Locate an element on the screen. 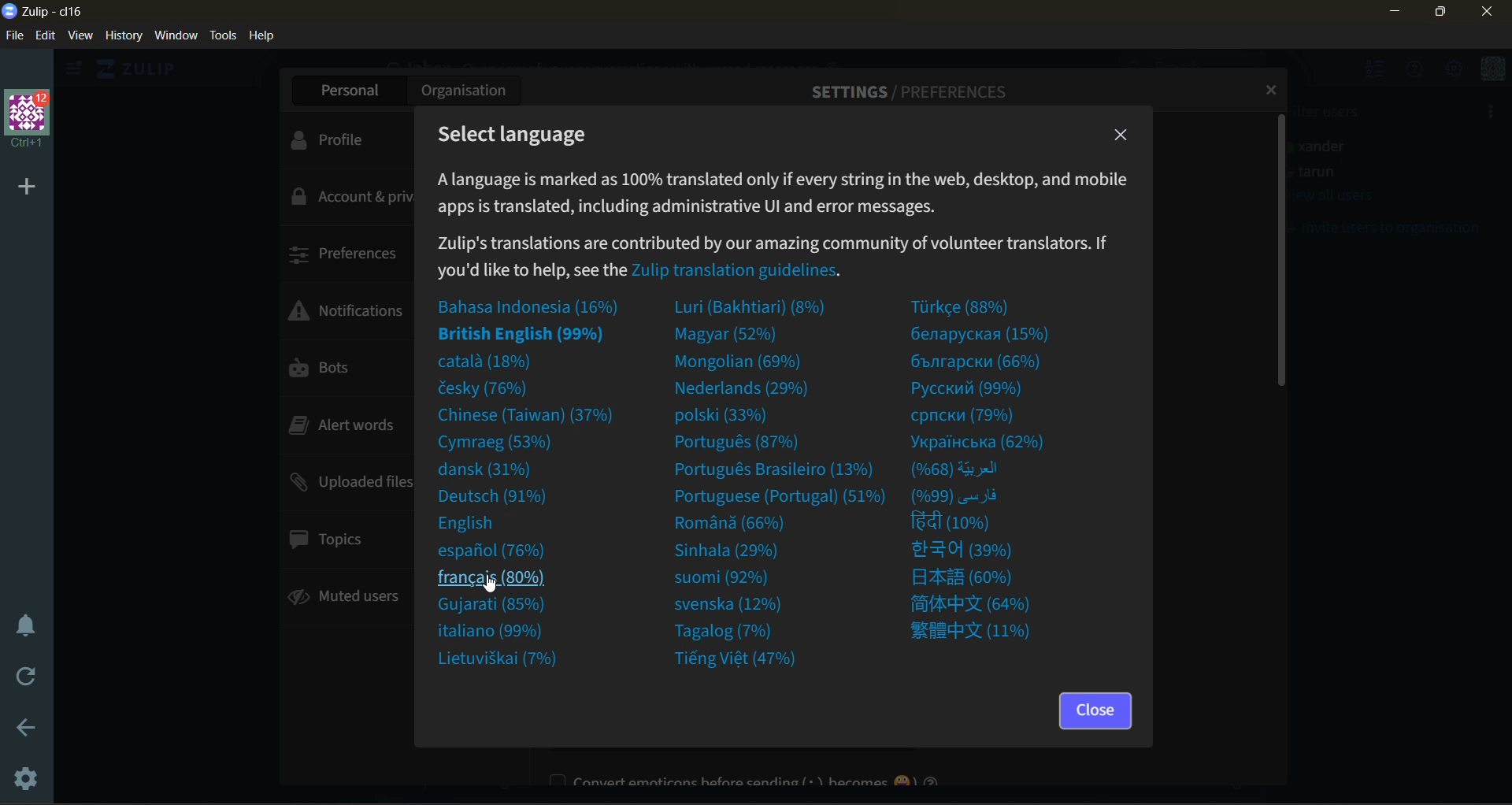 The image size is (1512, 805). genapuacxa is located at coordinates (977, 335).